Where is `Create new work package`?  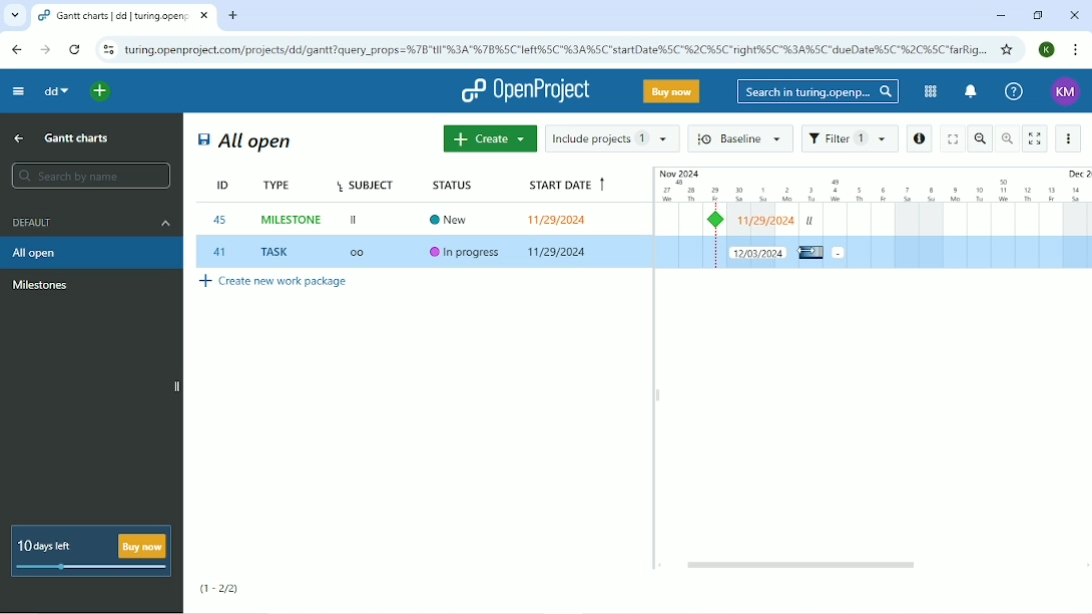 Create new work package is located at coordinates (274, 284).